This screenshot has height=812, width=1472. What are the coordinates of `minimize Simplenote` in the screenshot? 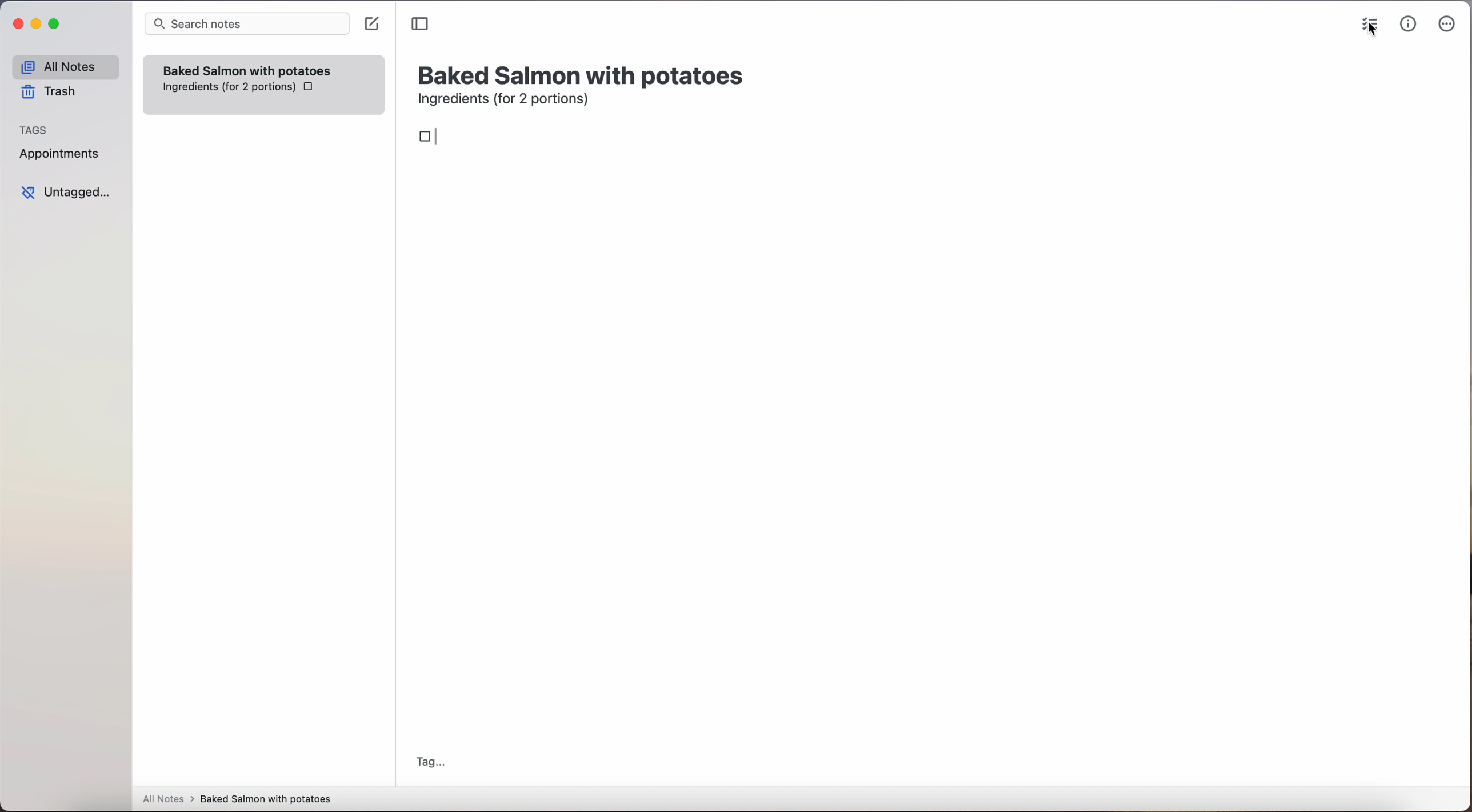 It's located at (36, 25).